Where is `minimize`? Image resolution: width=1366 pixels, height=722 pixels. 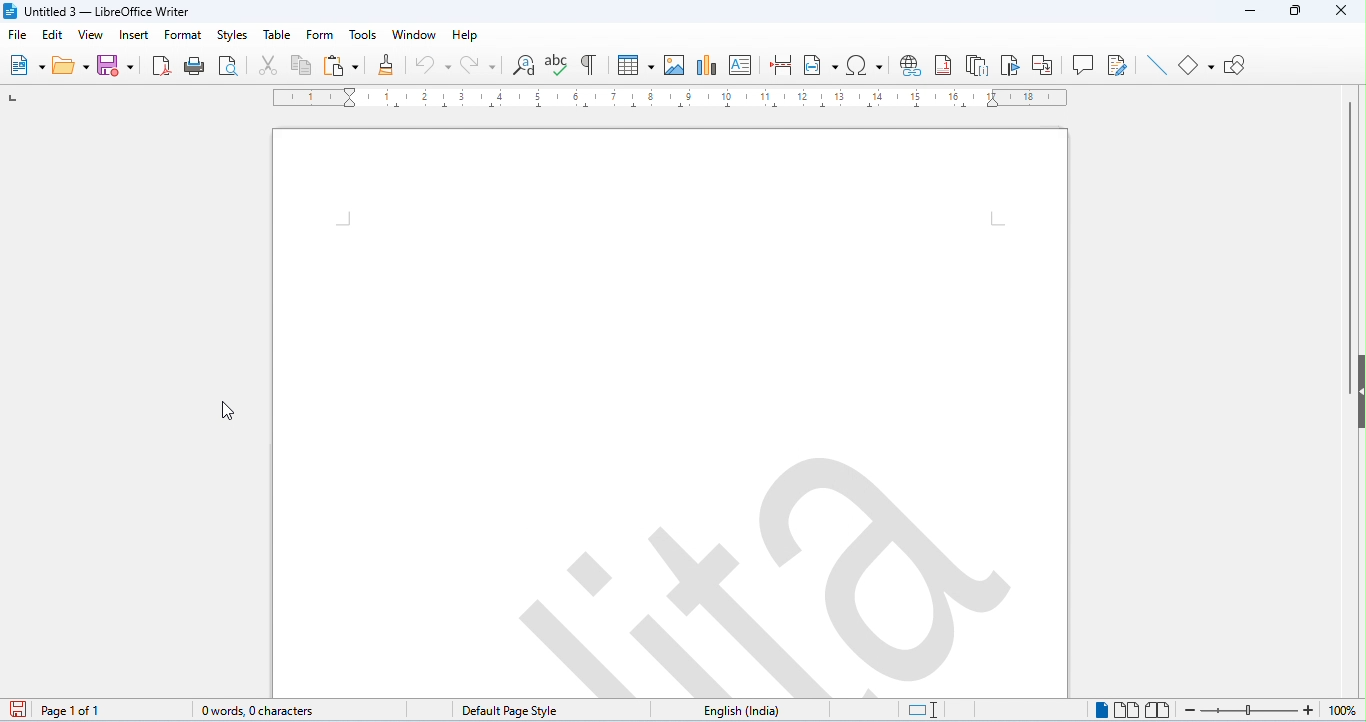
minimize is located at coordinates (1251, 12).